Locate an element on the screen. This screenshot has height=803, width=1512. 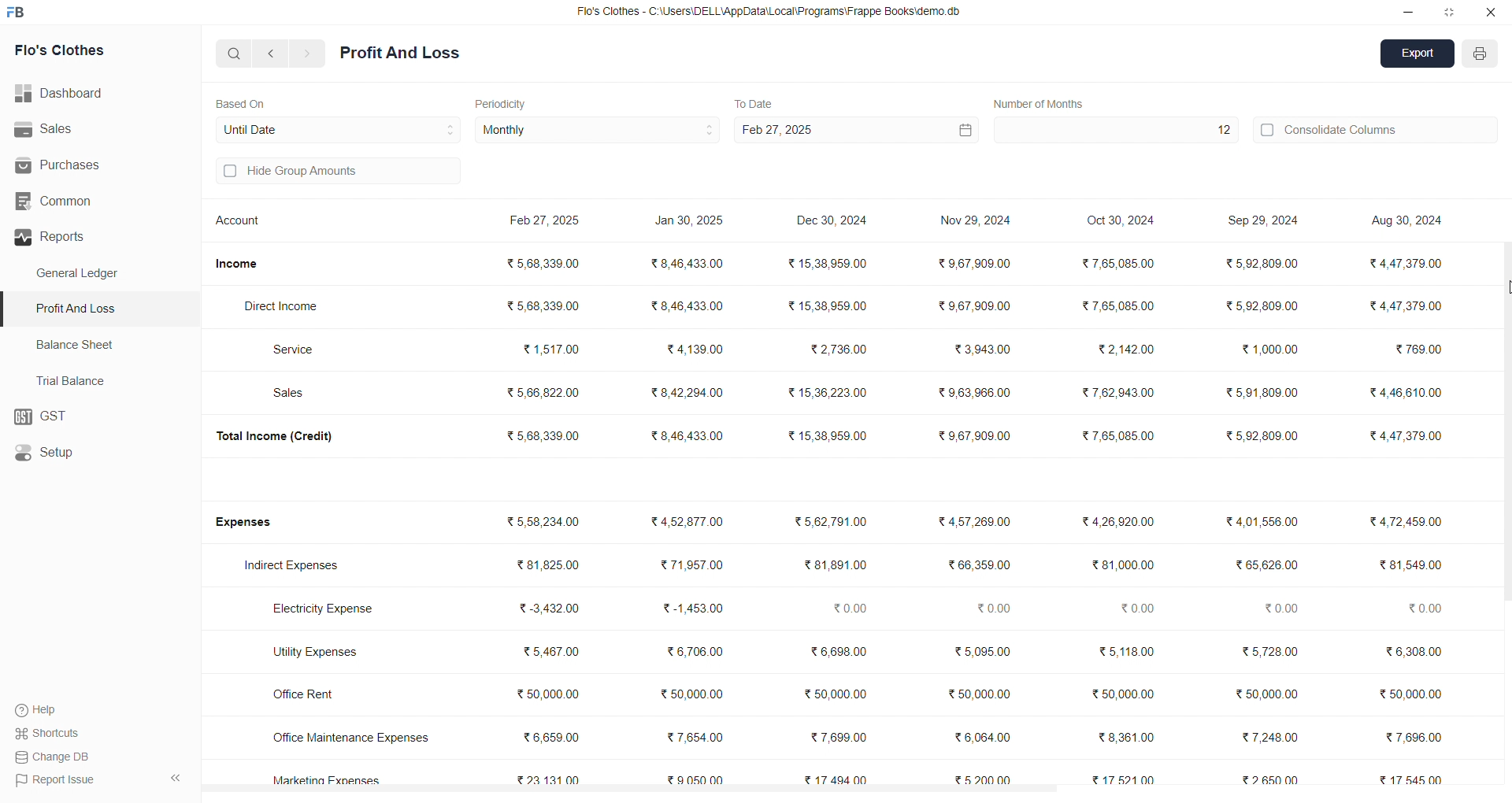
₹23,131.00 is located at coordinates (552, 779).